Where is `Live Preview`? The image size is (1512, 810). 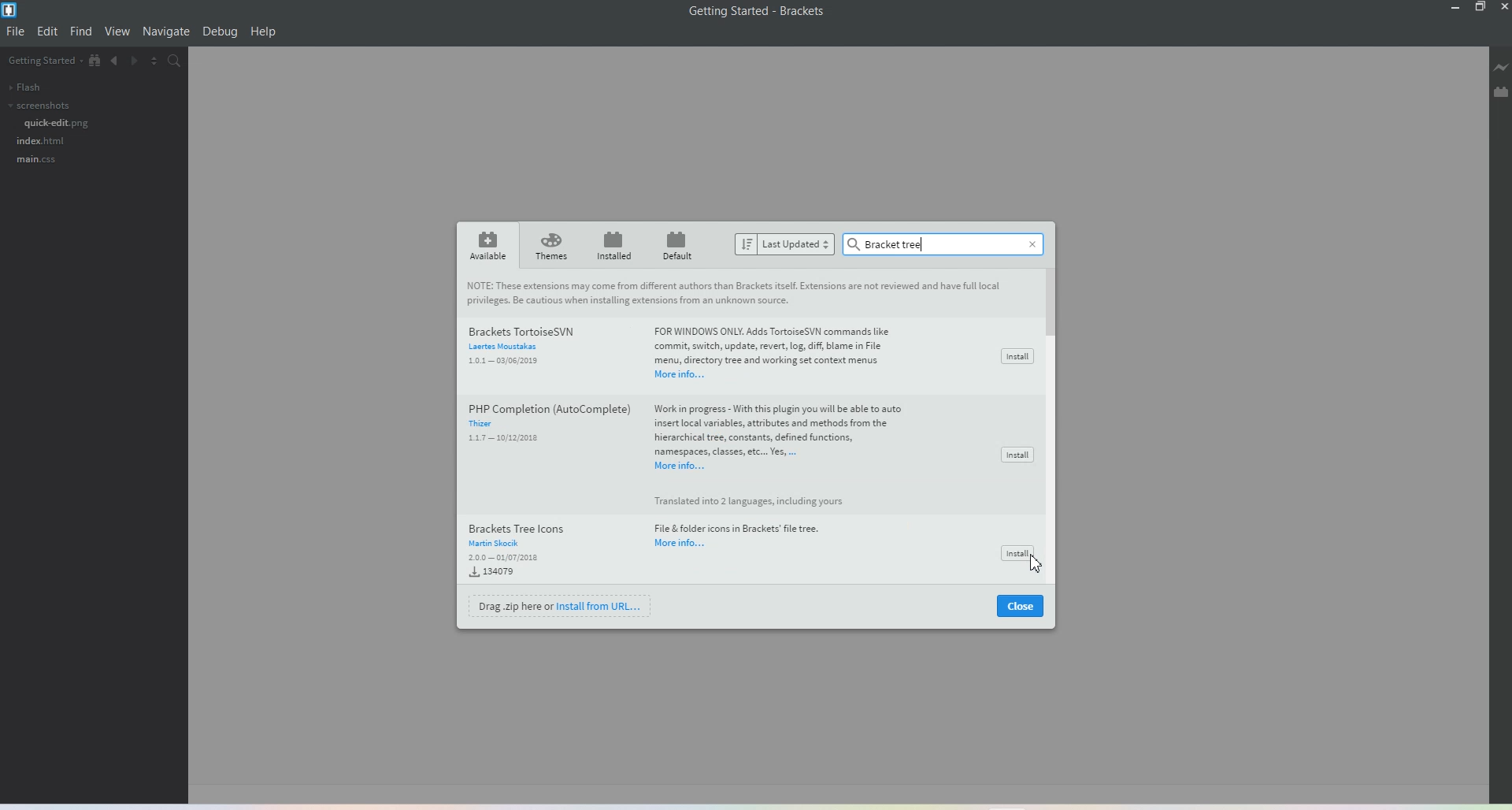 Live Preview is located at coordinates (1501, 69).